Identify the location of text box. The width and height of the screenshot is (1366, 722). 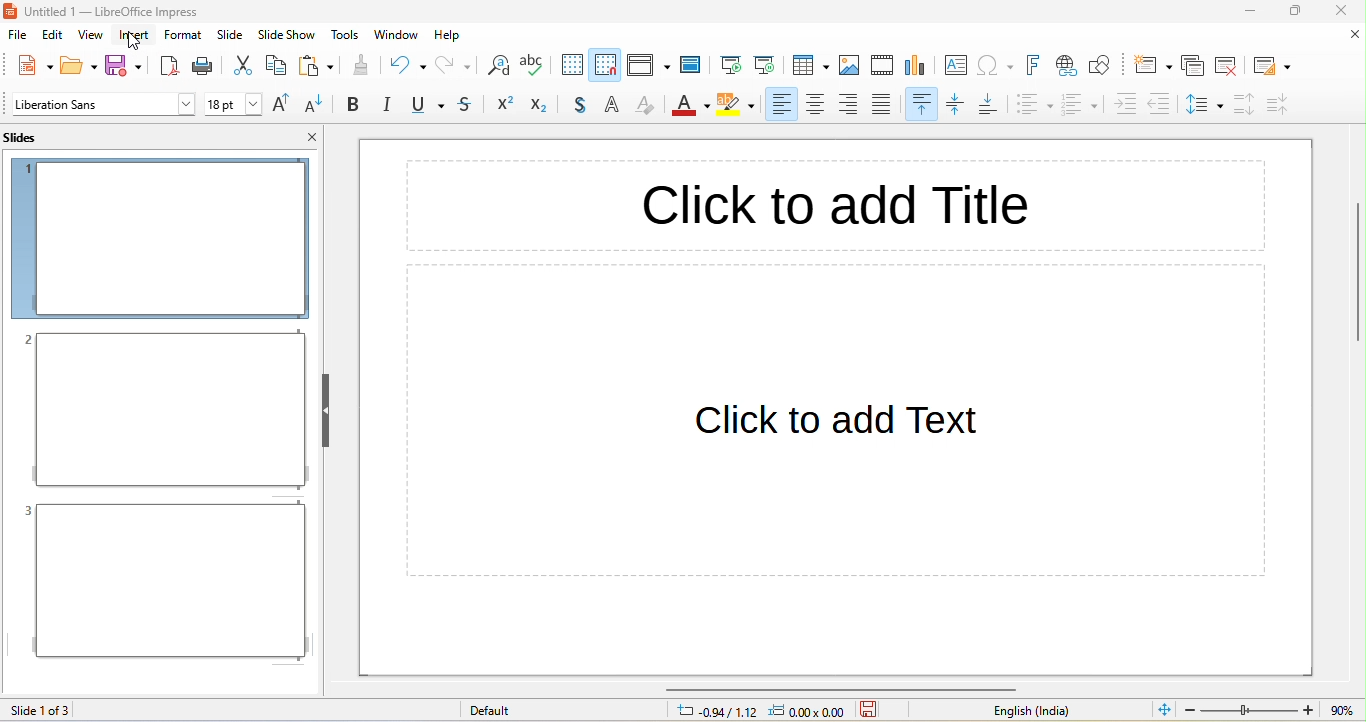
(955, 66).